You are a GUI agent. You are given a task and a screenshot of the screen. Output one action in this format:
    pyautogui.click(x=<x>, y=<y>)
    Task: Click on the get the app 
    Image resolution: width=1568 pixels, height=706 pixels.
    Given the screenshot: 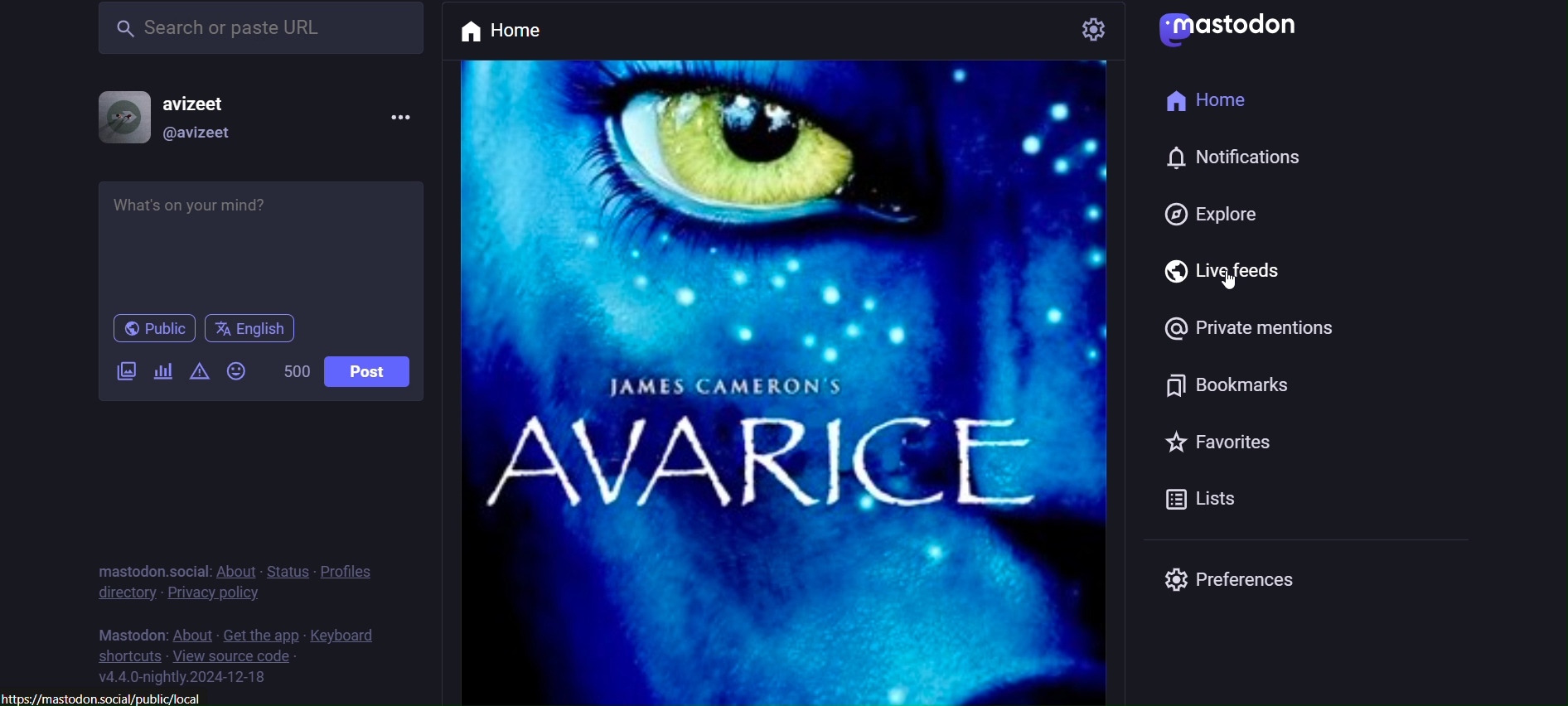 What is the action you would take?
    pyautogui.click(x=259, y=627)
    